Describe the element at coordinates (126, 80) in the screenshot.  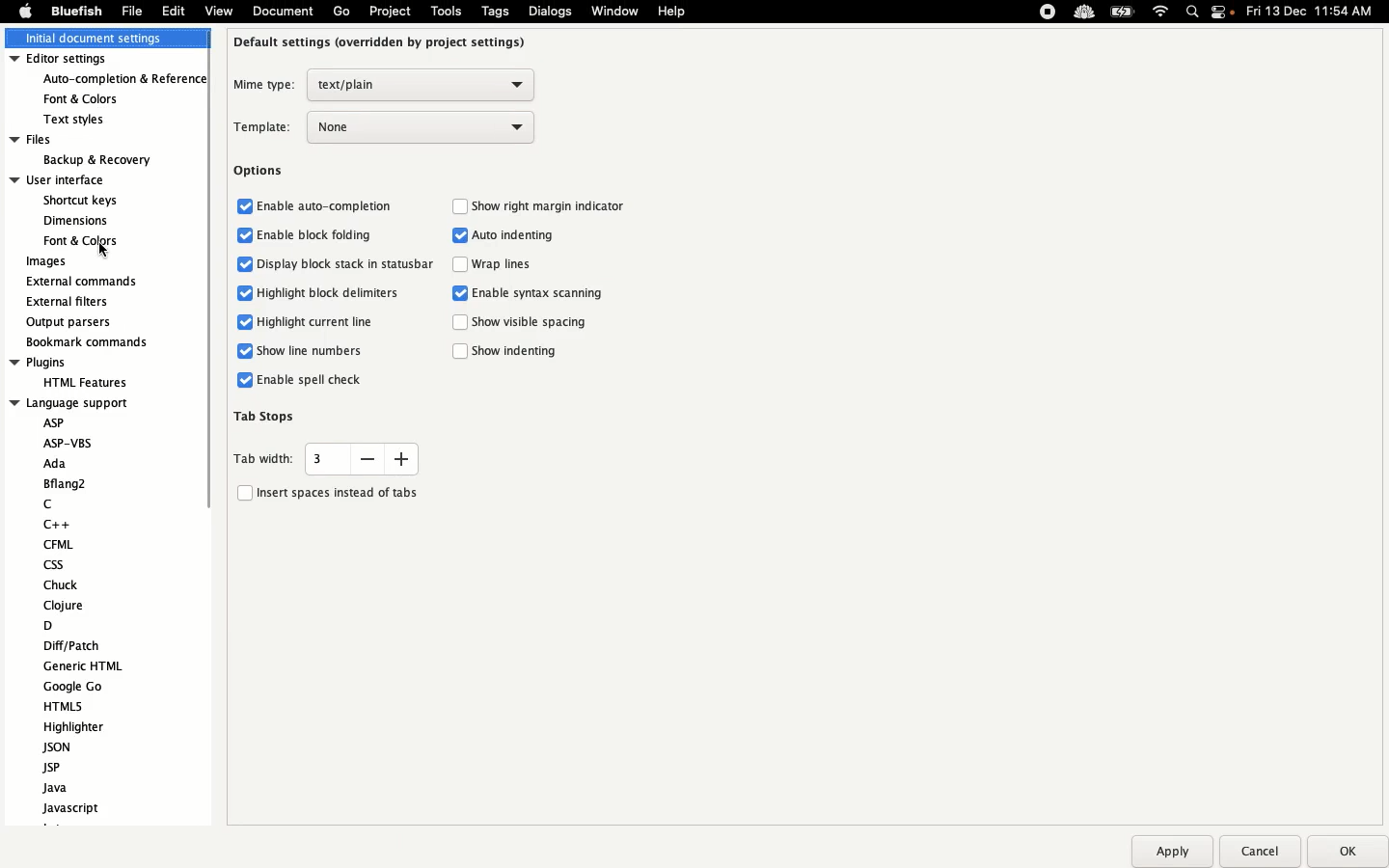
I see `auto-completion & refrences` at that location.